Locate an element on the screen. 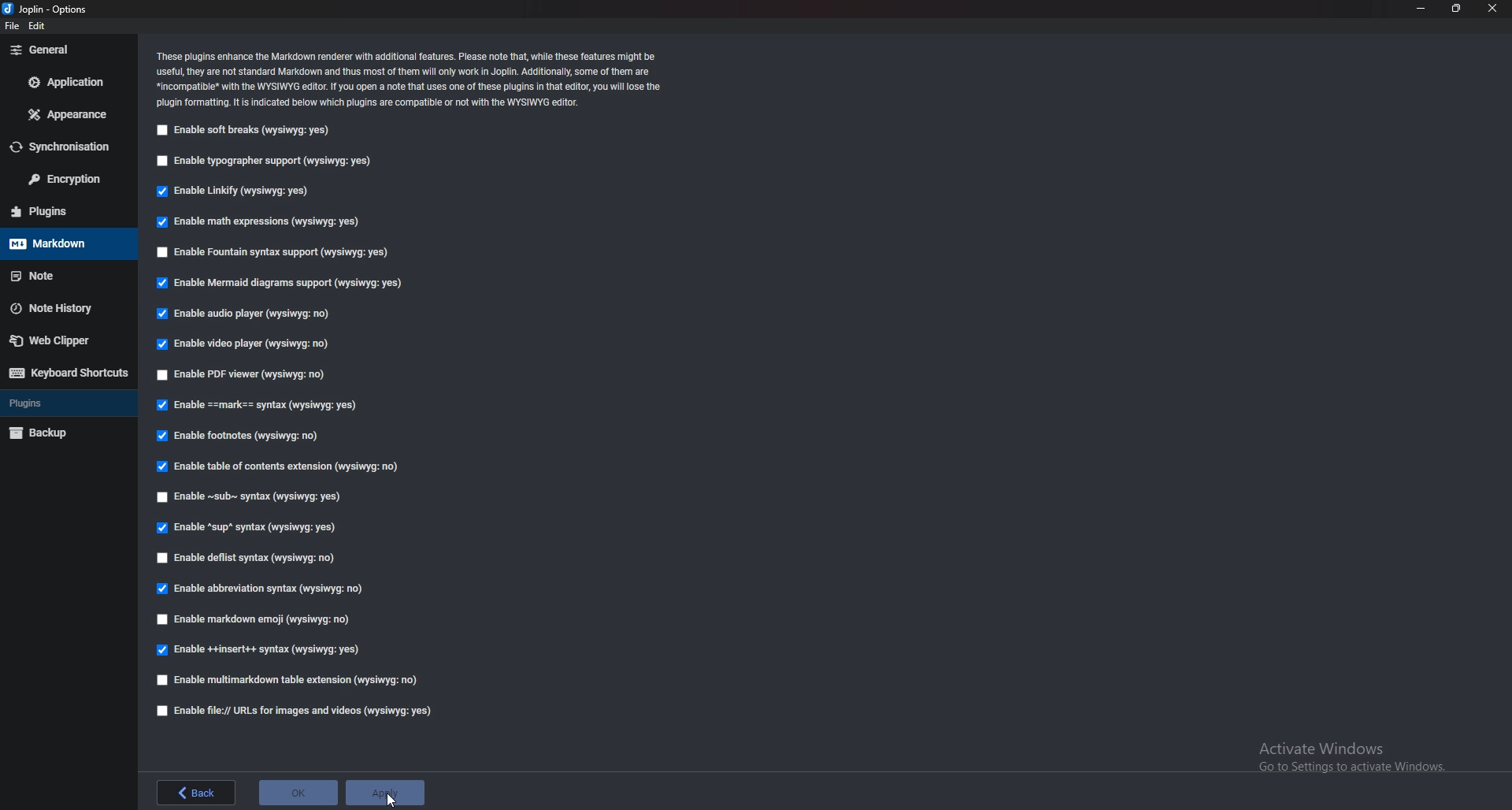  Enable table of contents extension is located at coordinates (279, 467).